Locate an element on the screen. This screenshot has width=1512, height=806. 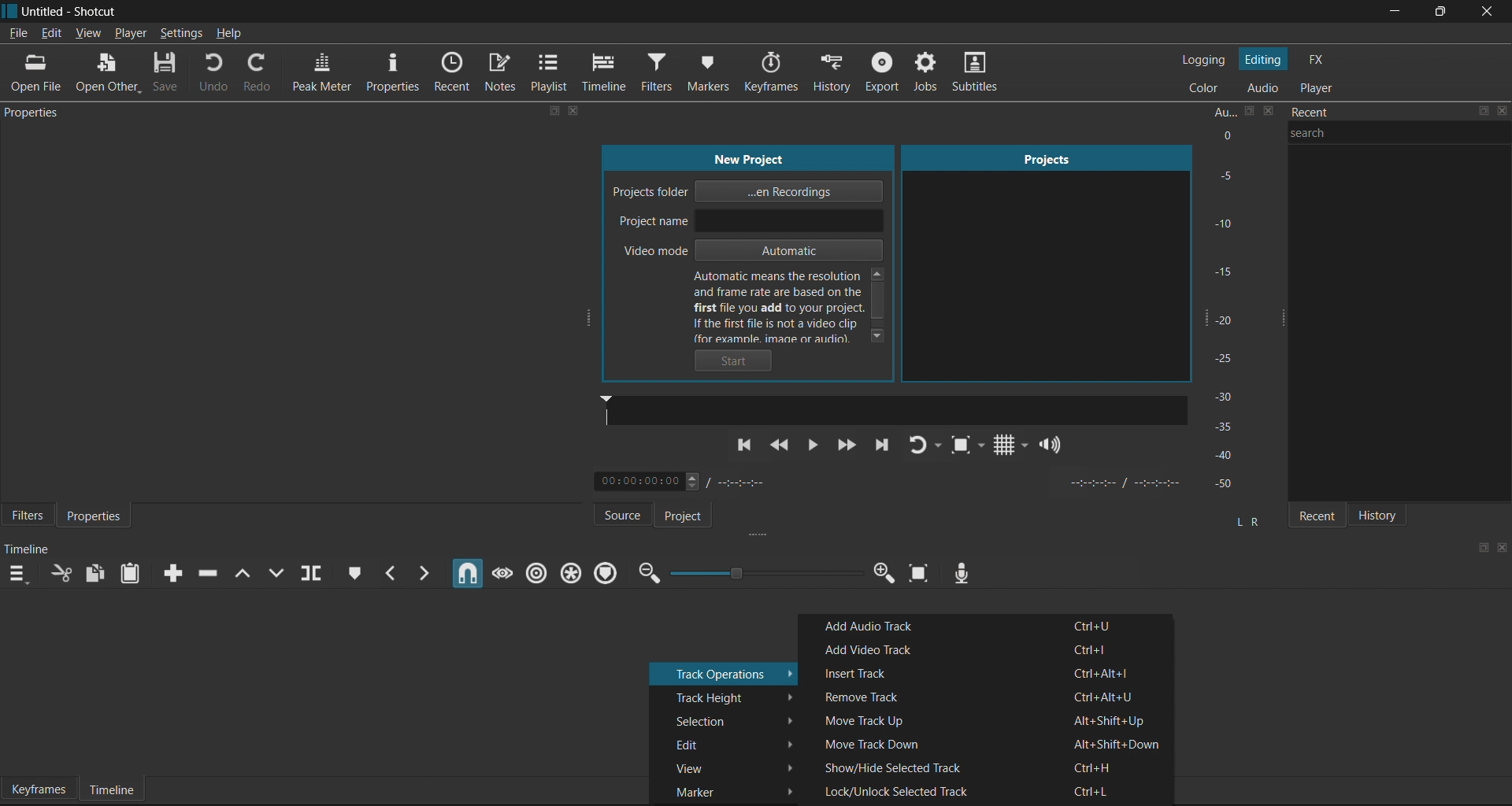
title bar is located at coordinates (694, 12).